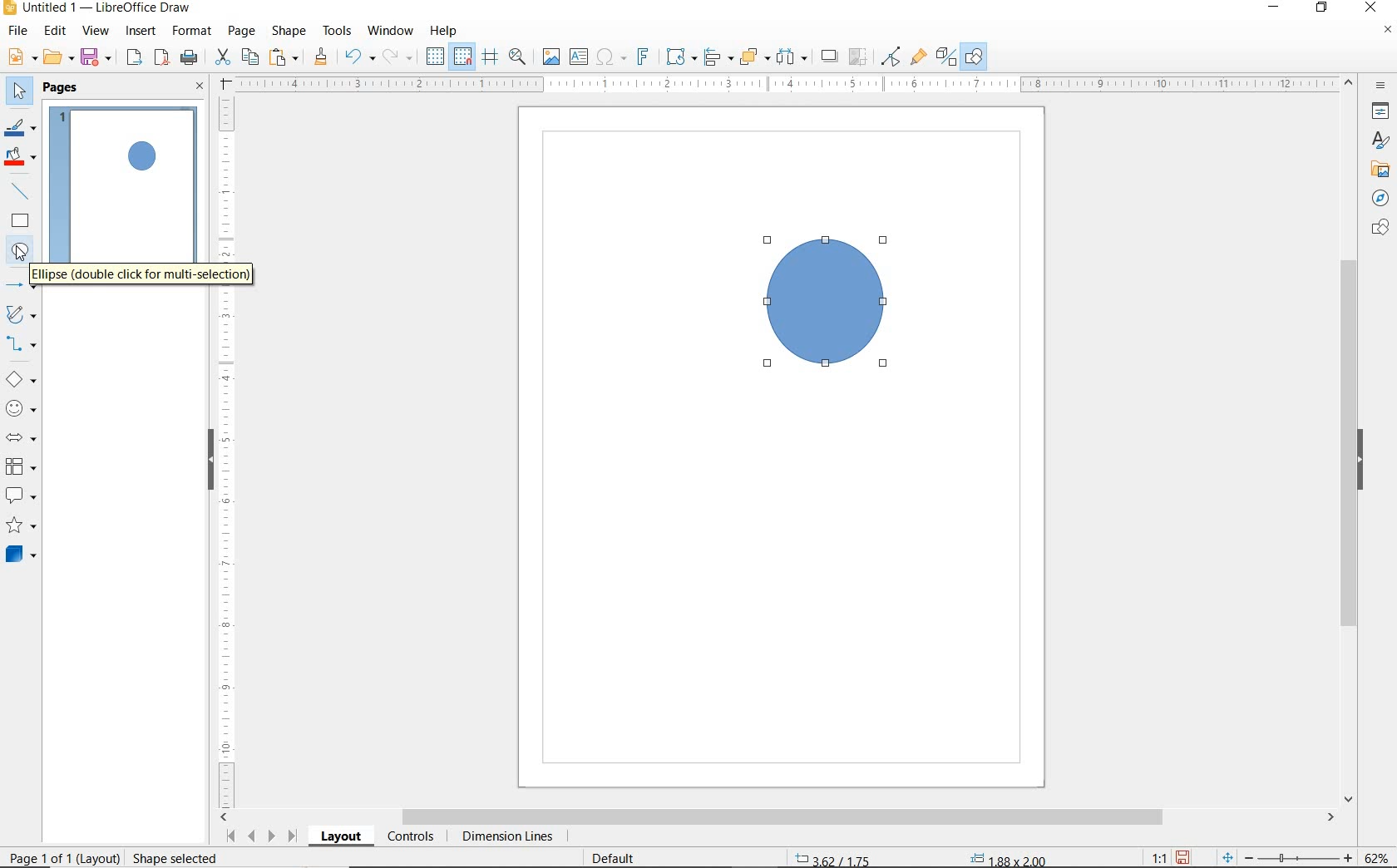 This screenshot has height=868, width=1397. Describe the element at coordinates (788, 85) in the screenshot. I see `RULER` at that location.